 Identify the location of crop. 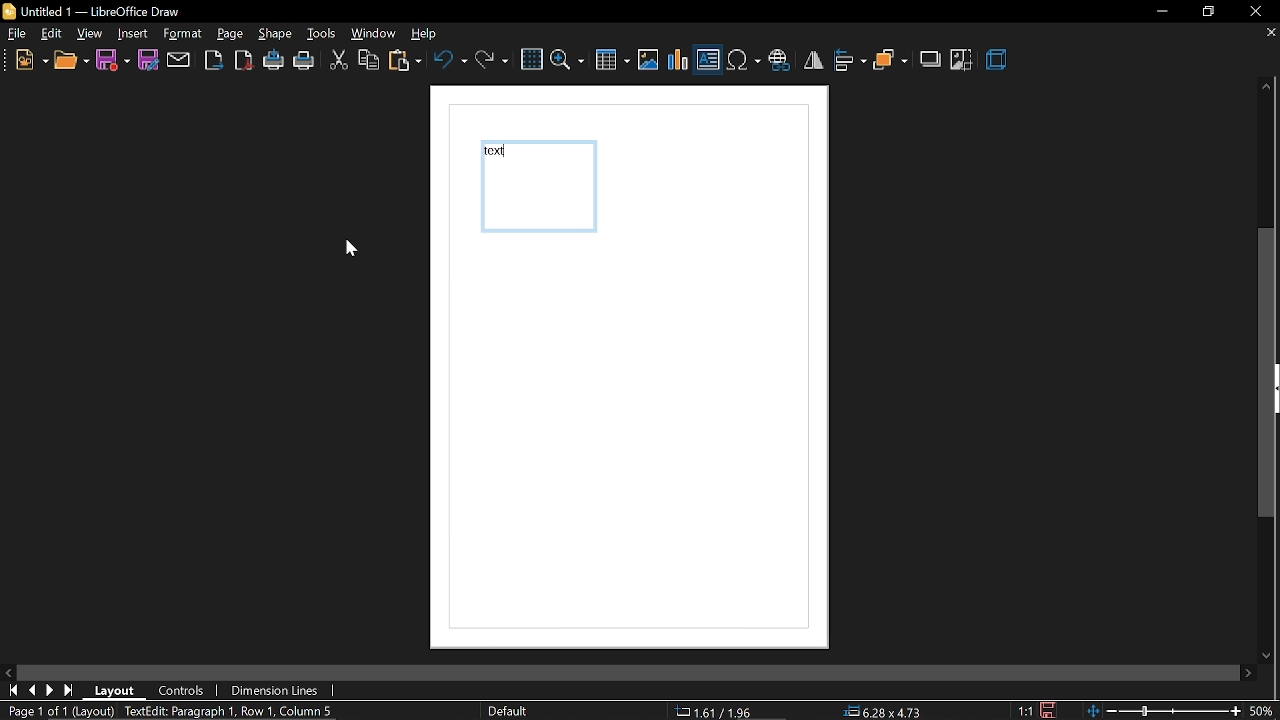
(962, 60).